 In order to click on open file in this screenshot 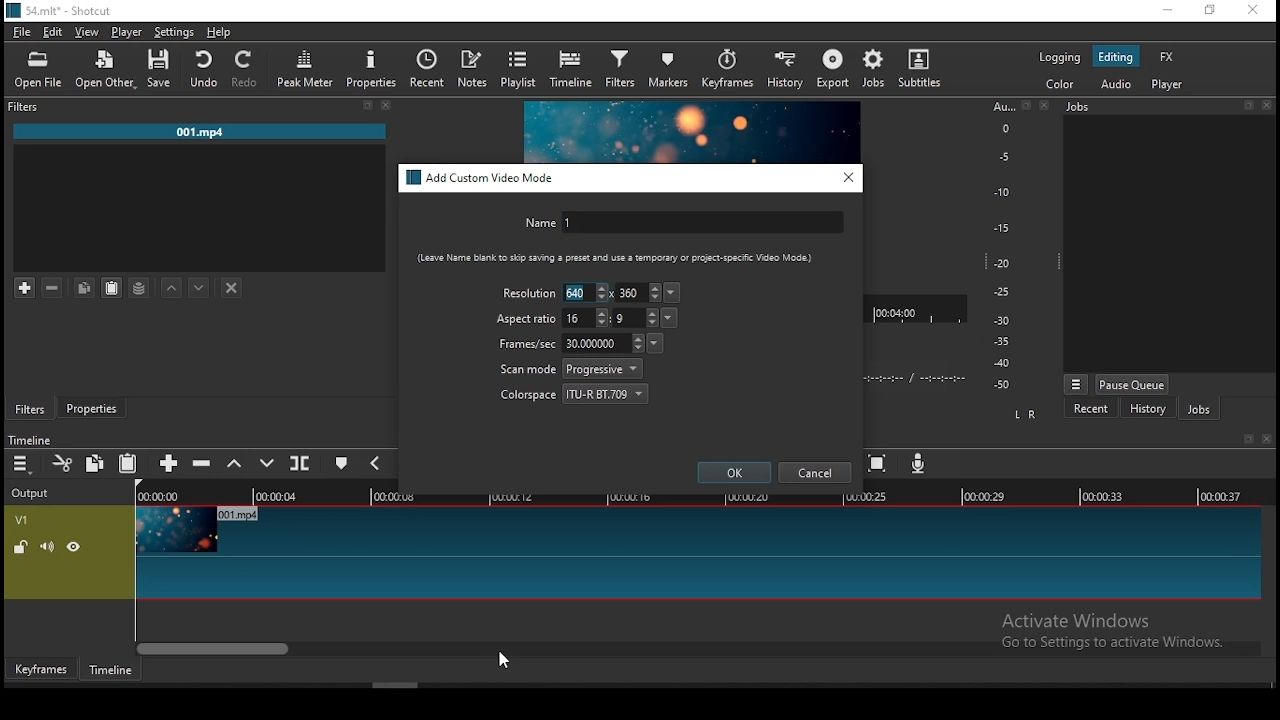, I will do `click(38, 71)`.